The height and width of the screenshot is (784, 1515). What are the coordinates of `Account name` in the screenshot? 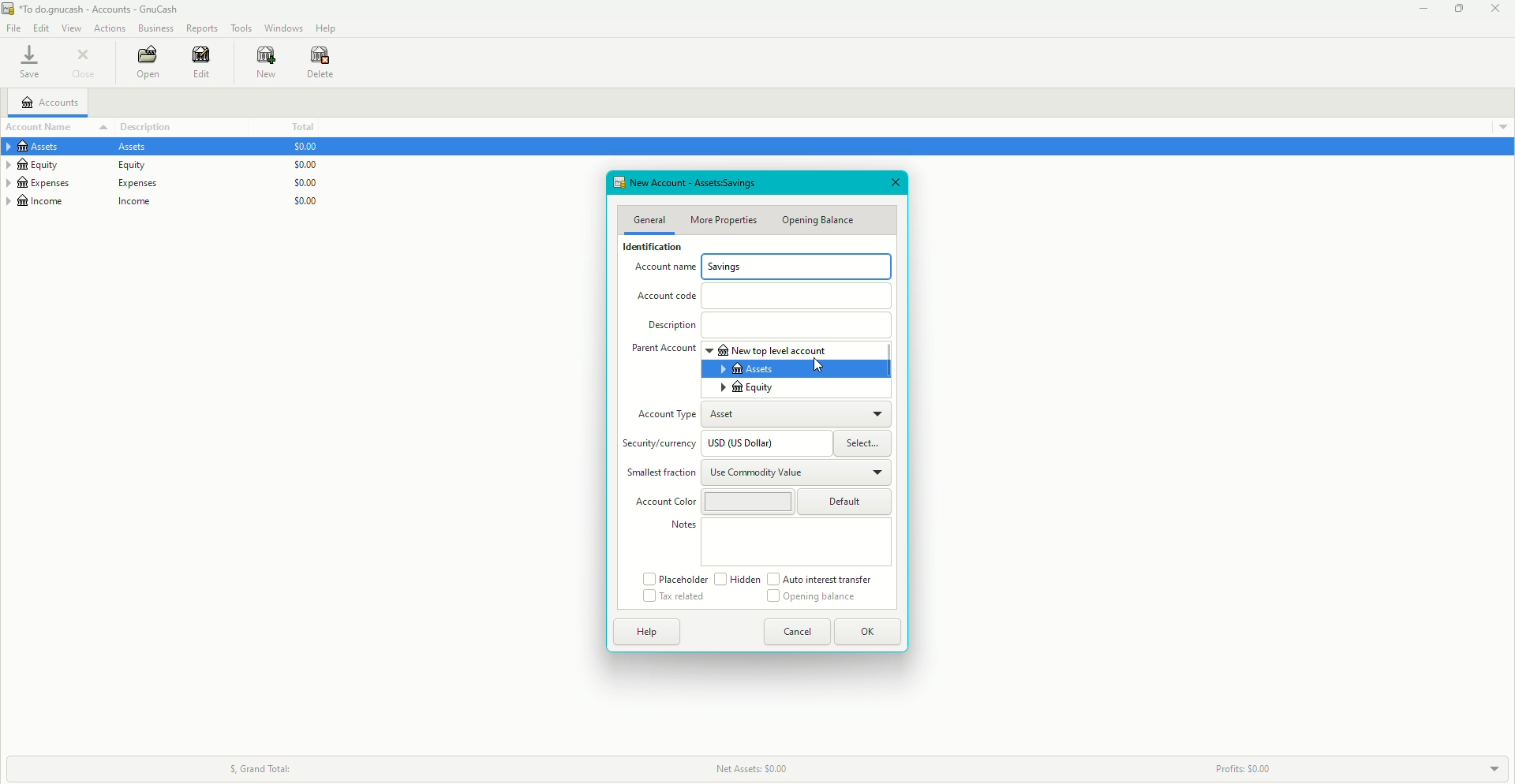 It's located at (661, 271).